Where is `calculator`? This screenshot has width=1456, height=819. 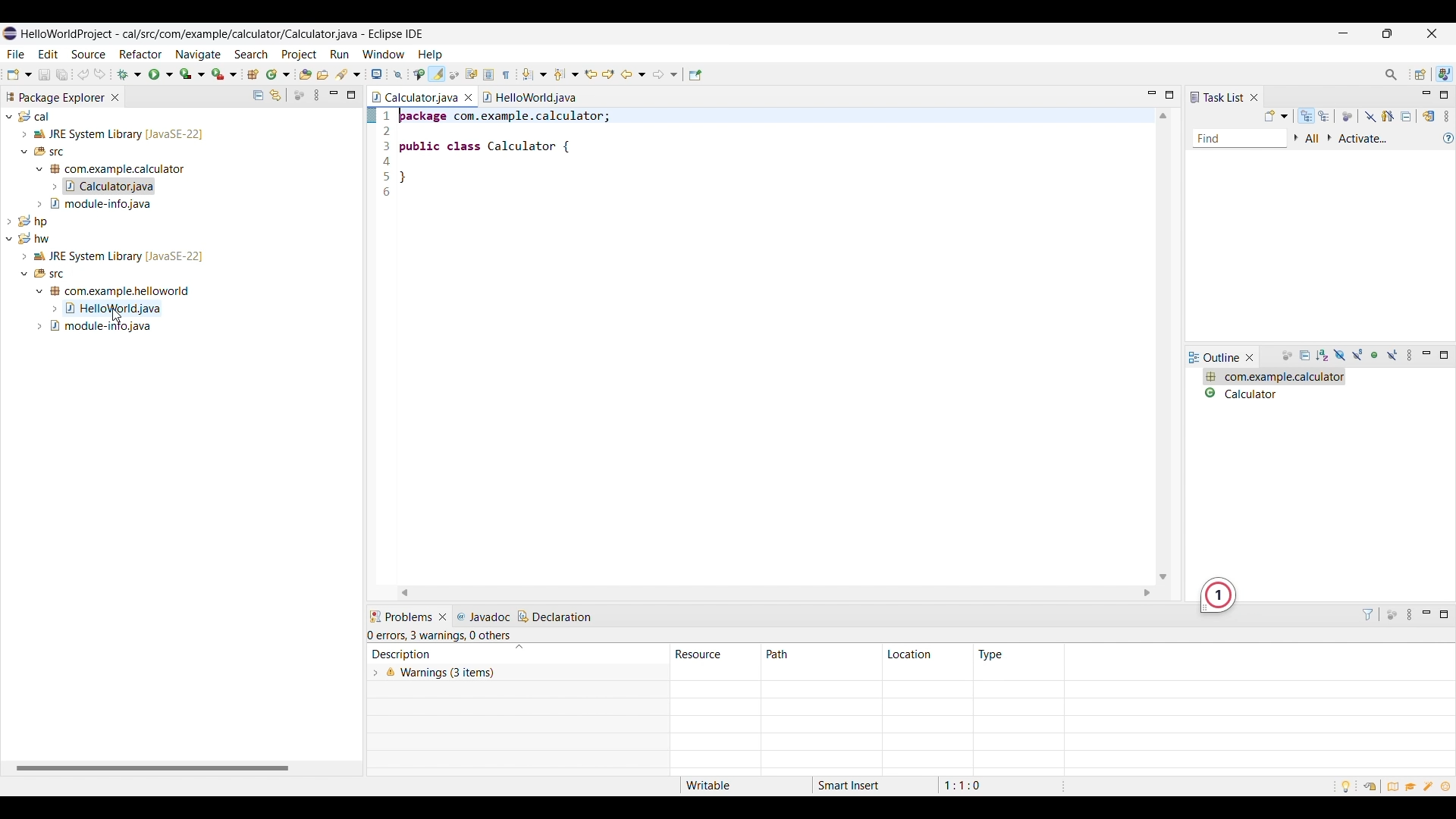 calculator is located at coordinates (1274, 393).